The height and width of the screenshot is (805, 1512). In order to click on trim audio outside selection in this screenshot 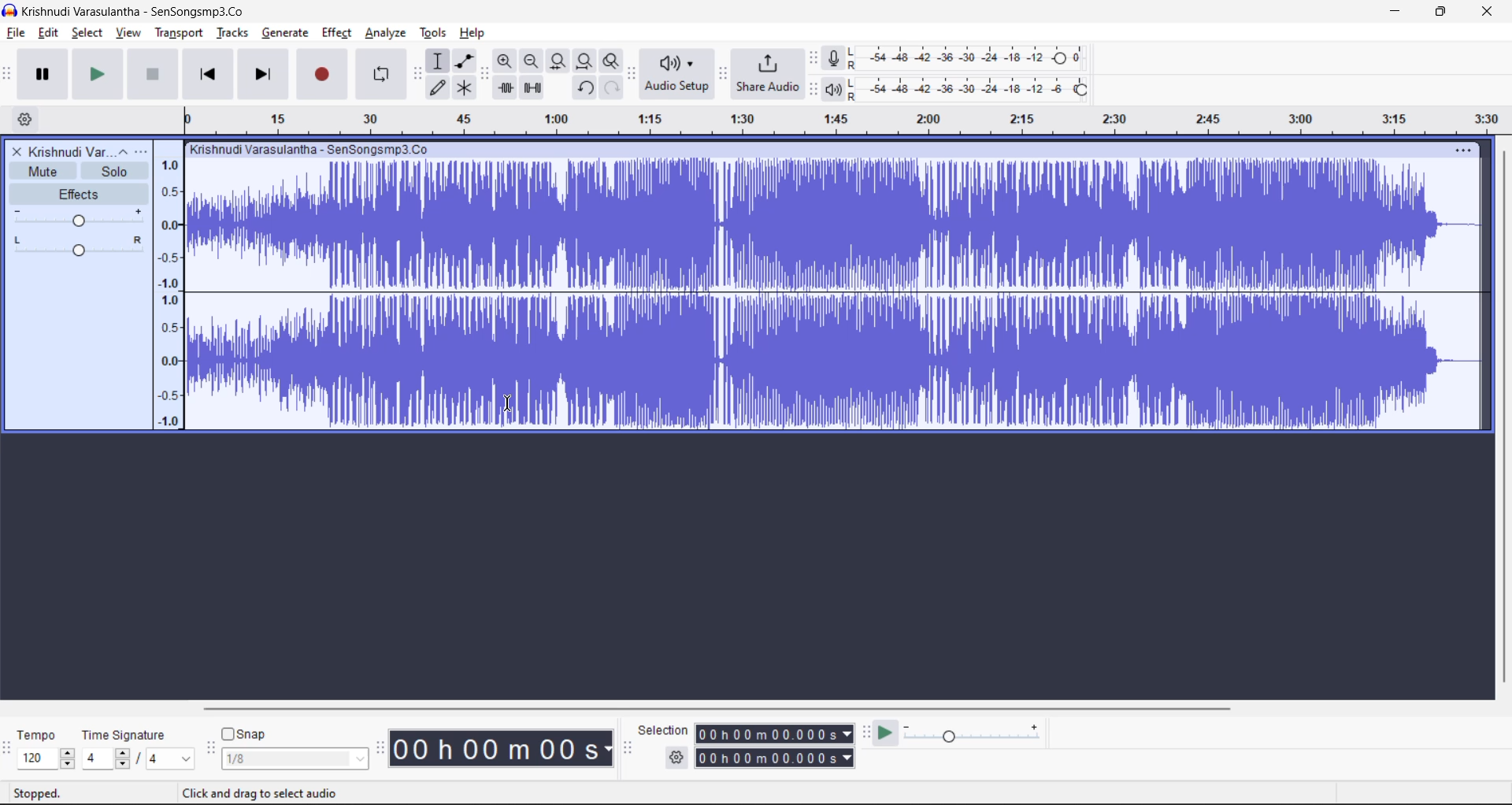, I will do `click(506, 88)`.